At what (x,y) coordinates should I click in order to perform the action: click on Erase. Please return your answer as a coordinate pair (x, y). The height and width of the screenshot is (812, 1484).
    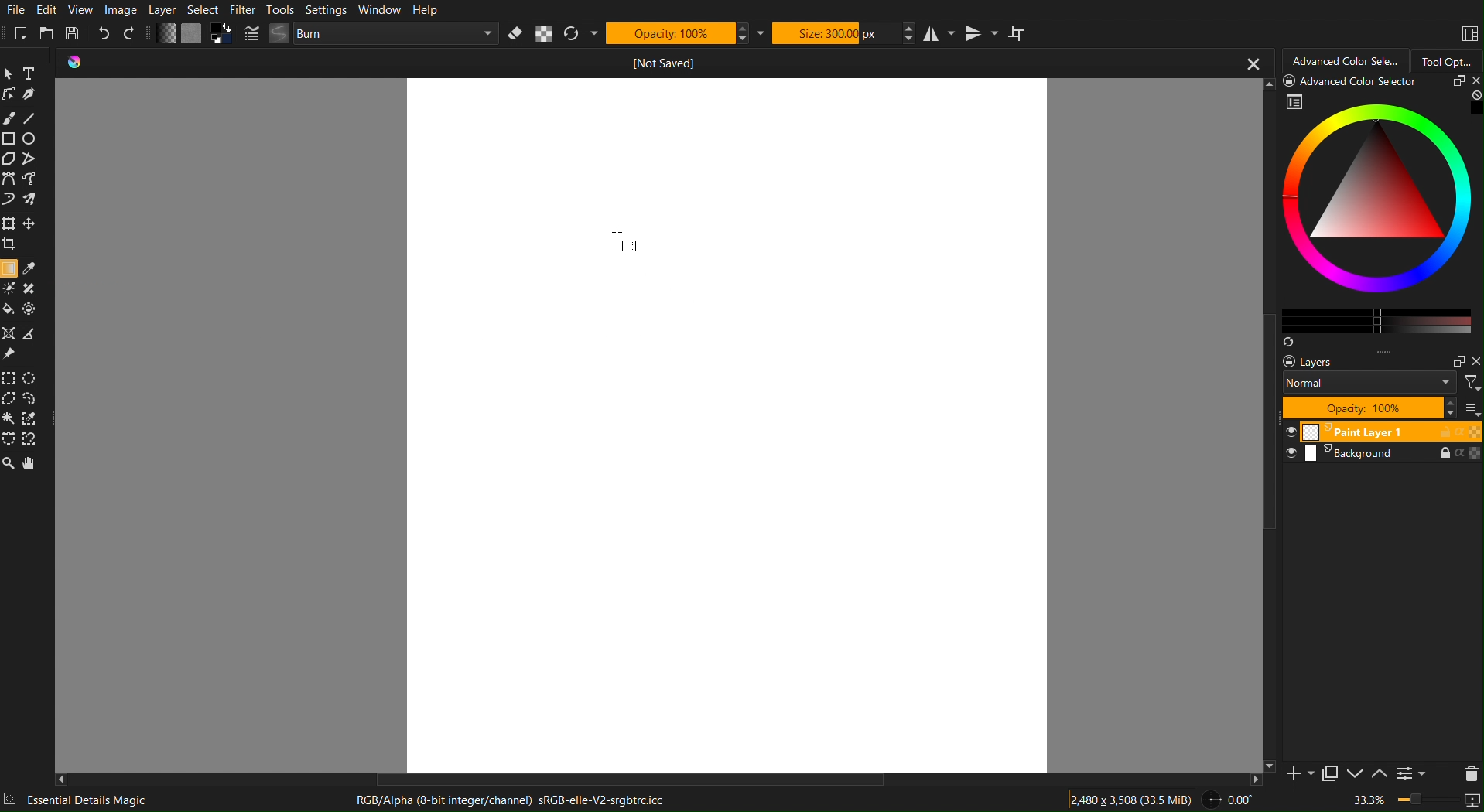
    Looking at the image, I should click on (518, 33).